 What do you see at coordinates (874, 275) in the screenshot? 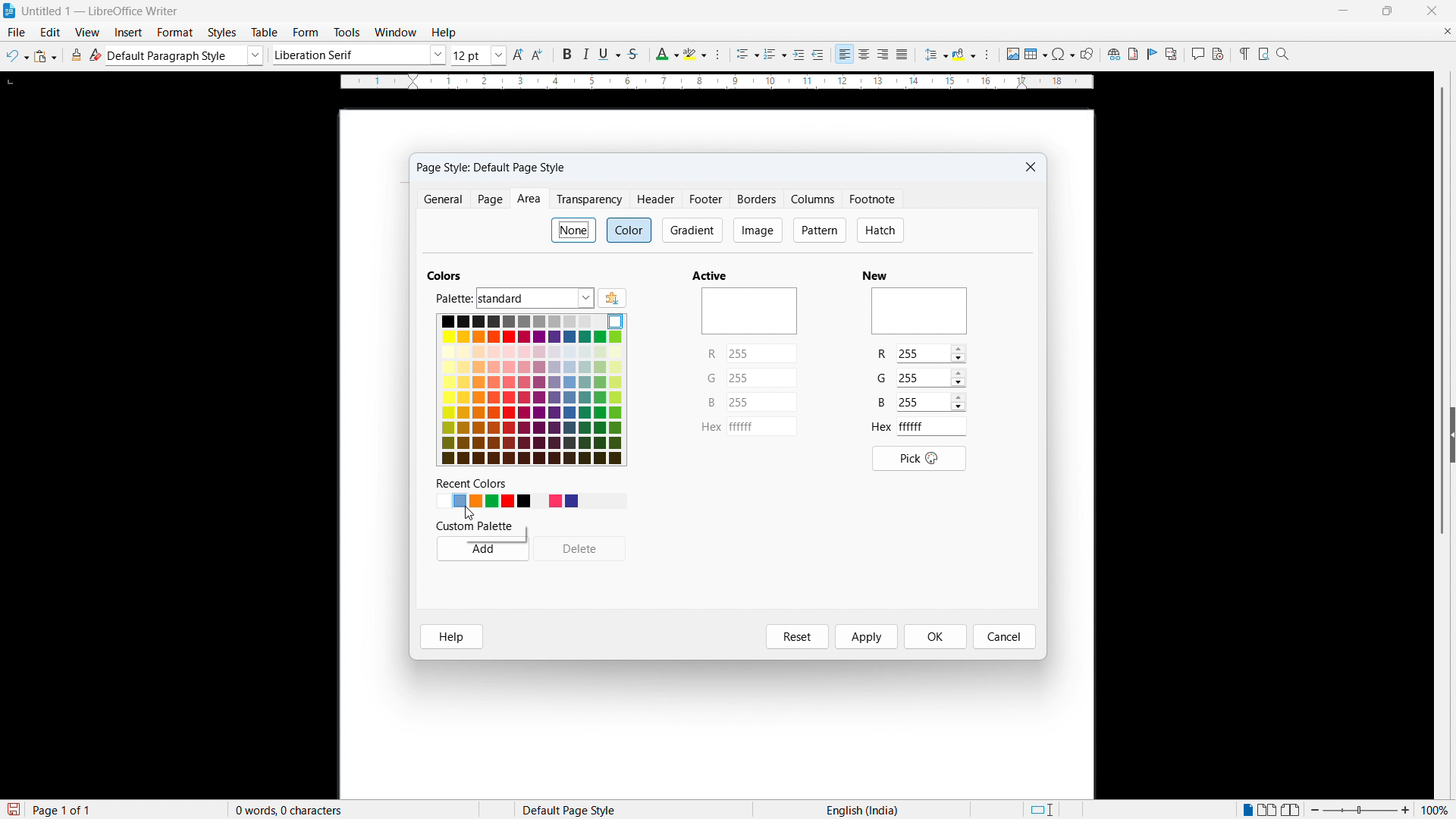
I see `New ` at bounding box center [874, 275].